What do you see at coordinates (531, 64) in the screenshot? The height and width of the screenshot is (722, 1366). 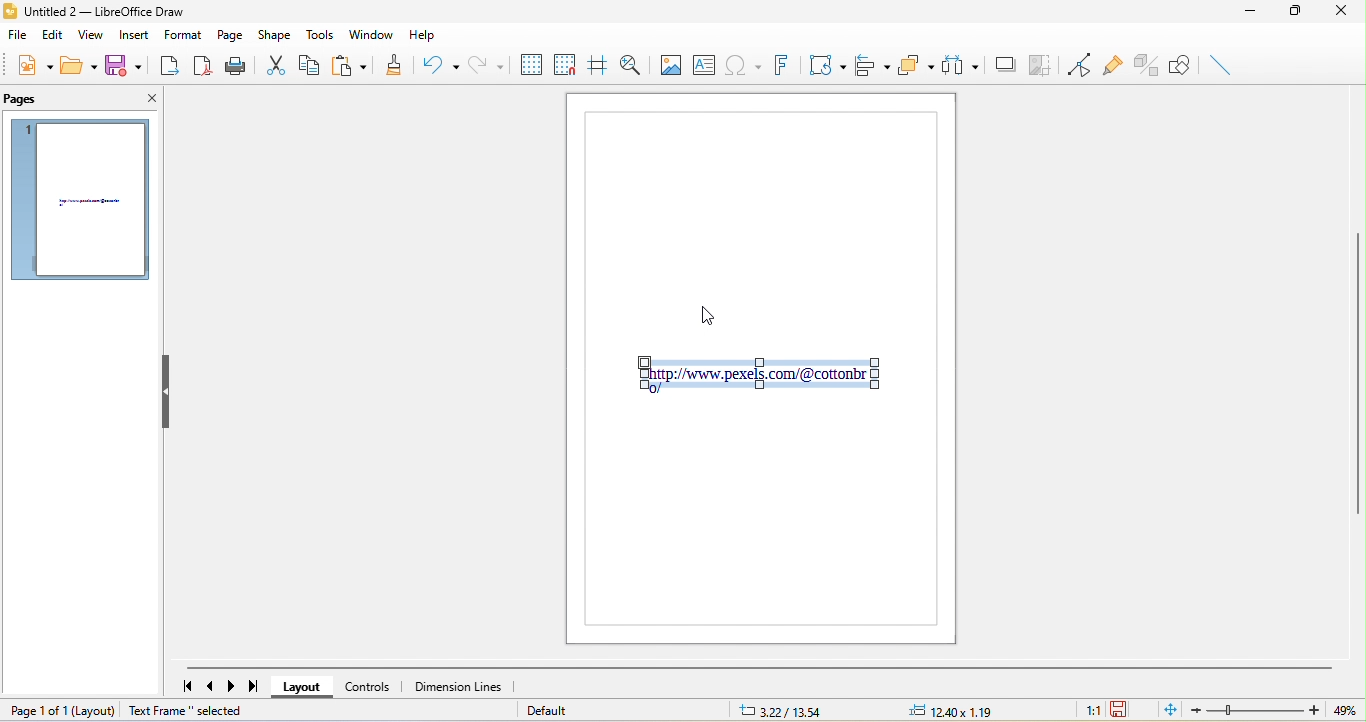 I see `display grid` at bounding box center [531, 64].